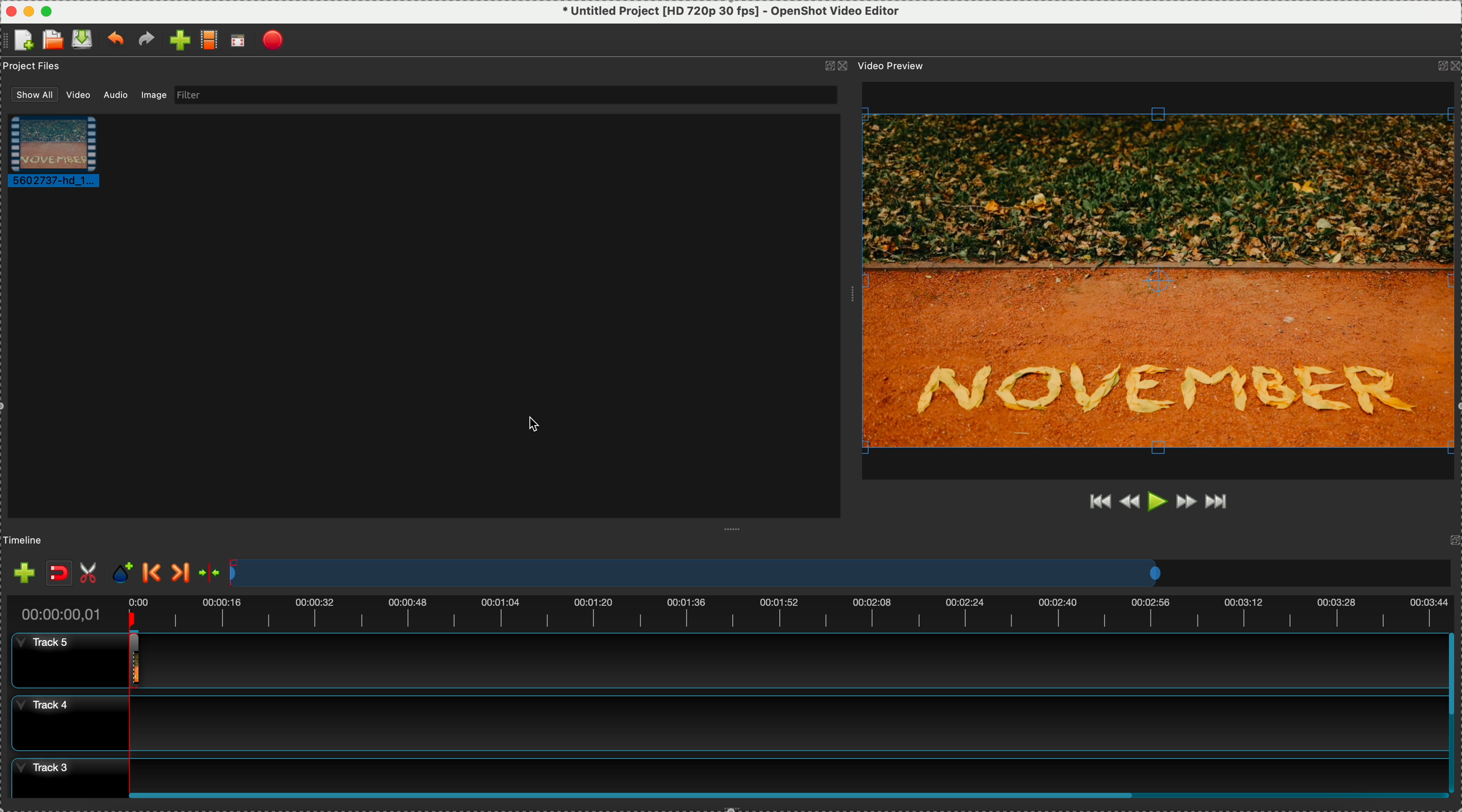 Image resolution: width=1462 pixels, height=812 pixels. Describe the element at coordinates (732, 11) in the screenshot. I see `* Untitled Project [HD 720p 30 fps] - OpenShot Video Editor` at that location.